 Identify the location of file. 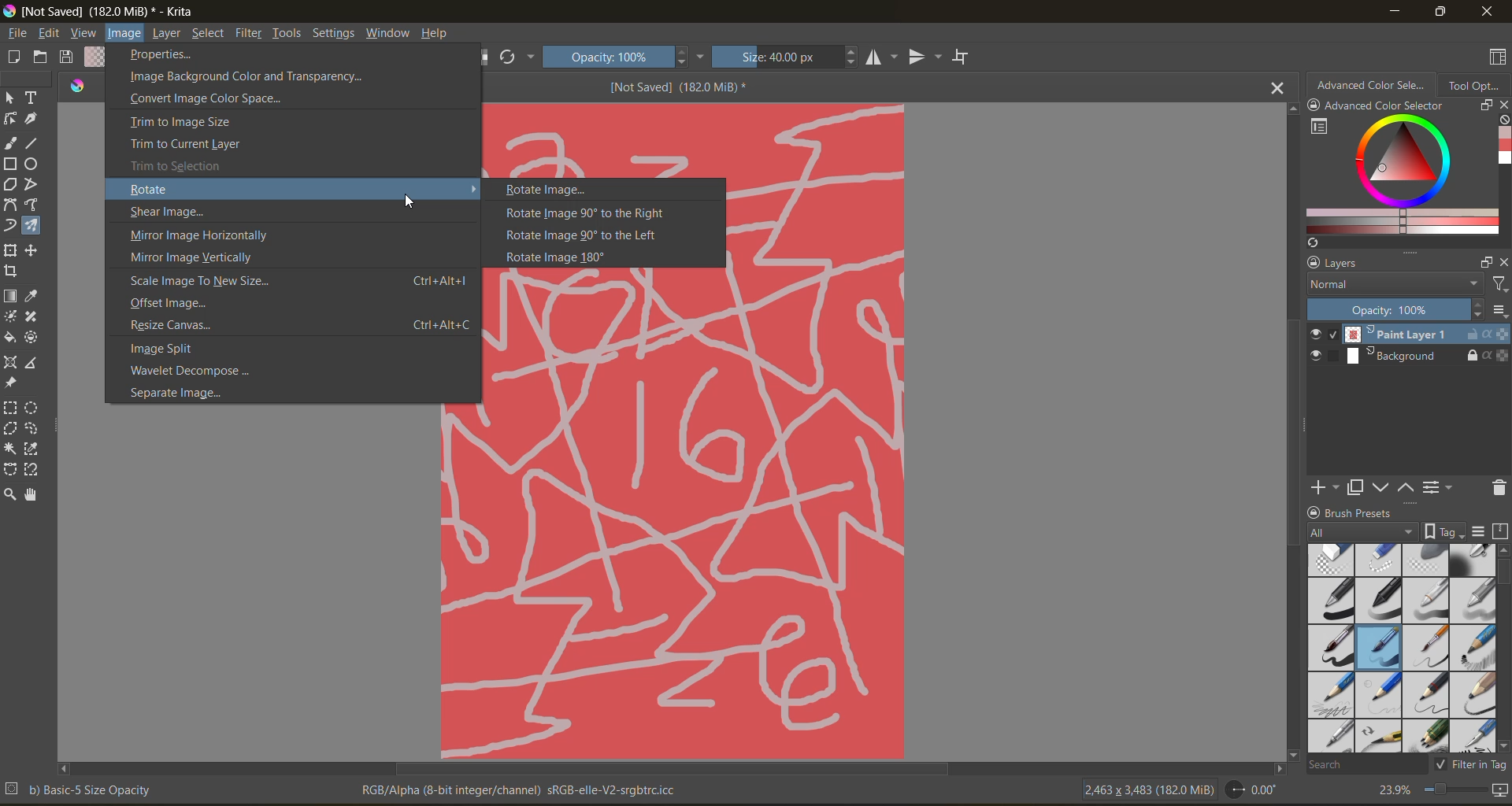
(20, 34).